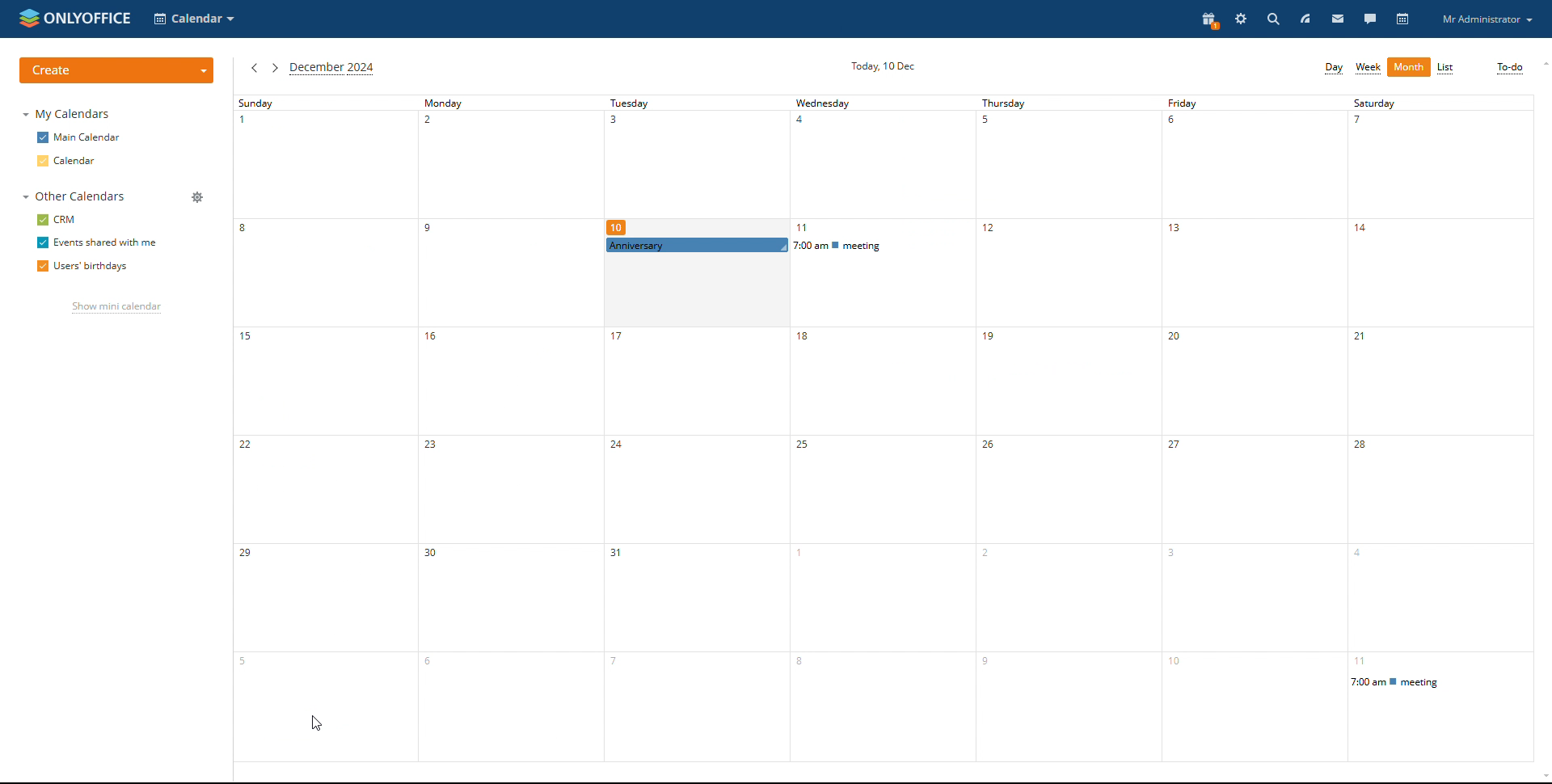 The height and width of the screenshot is (784, 1552). Describe the element at coordinates (84, 267) in the screenshot. I see `users' birthdays` at that location.